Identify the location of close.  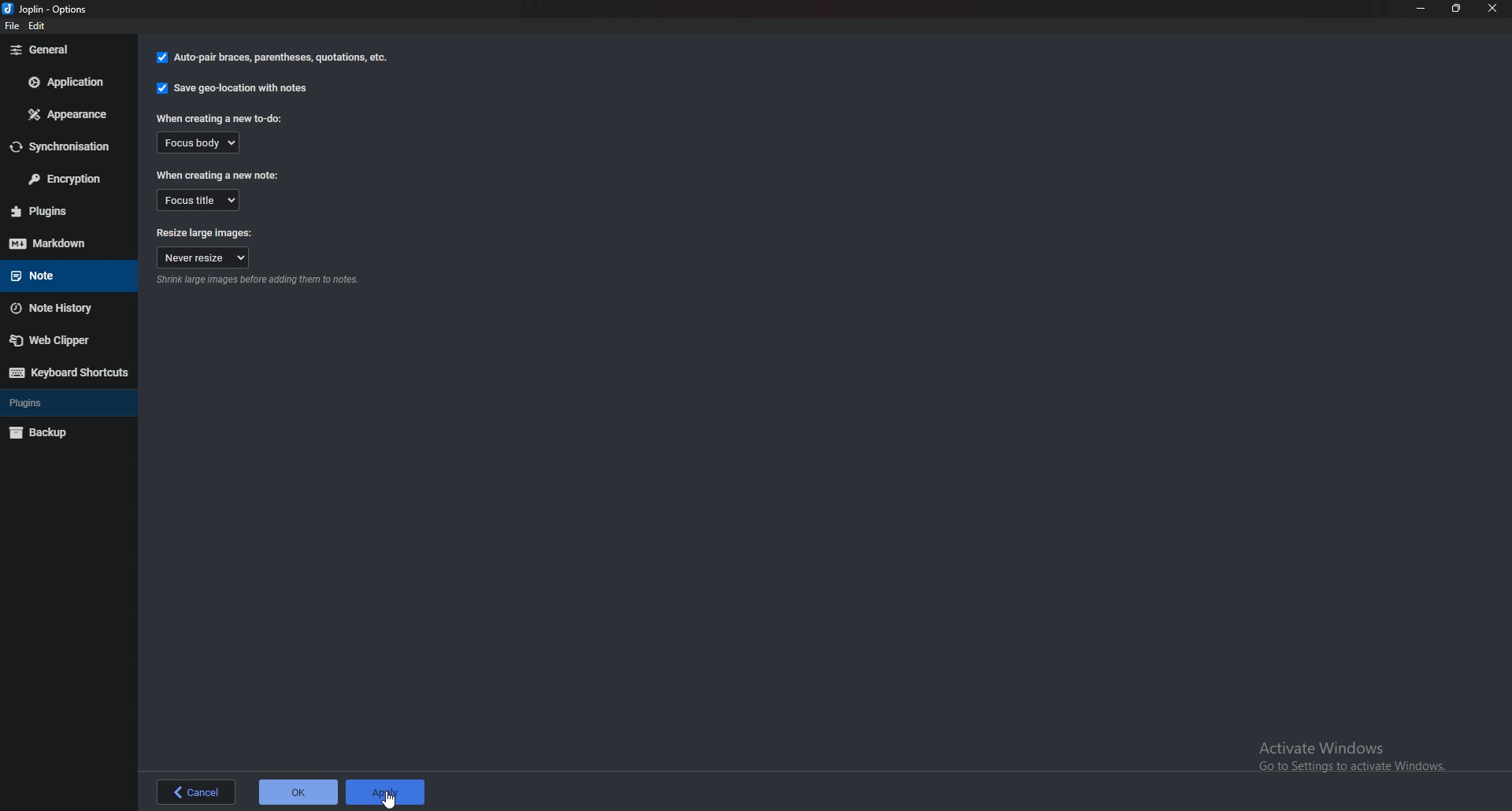
(1493, 9).